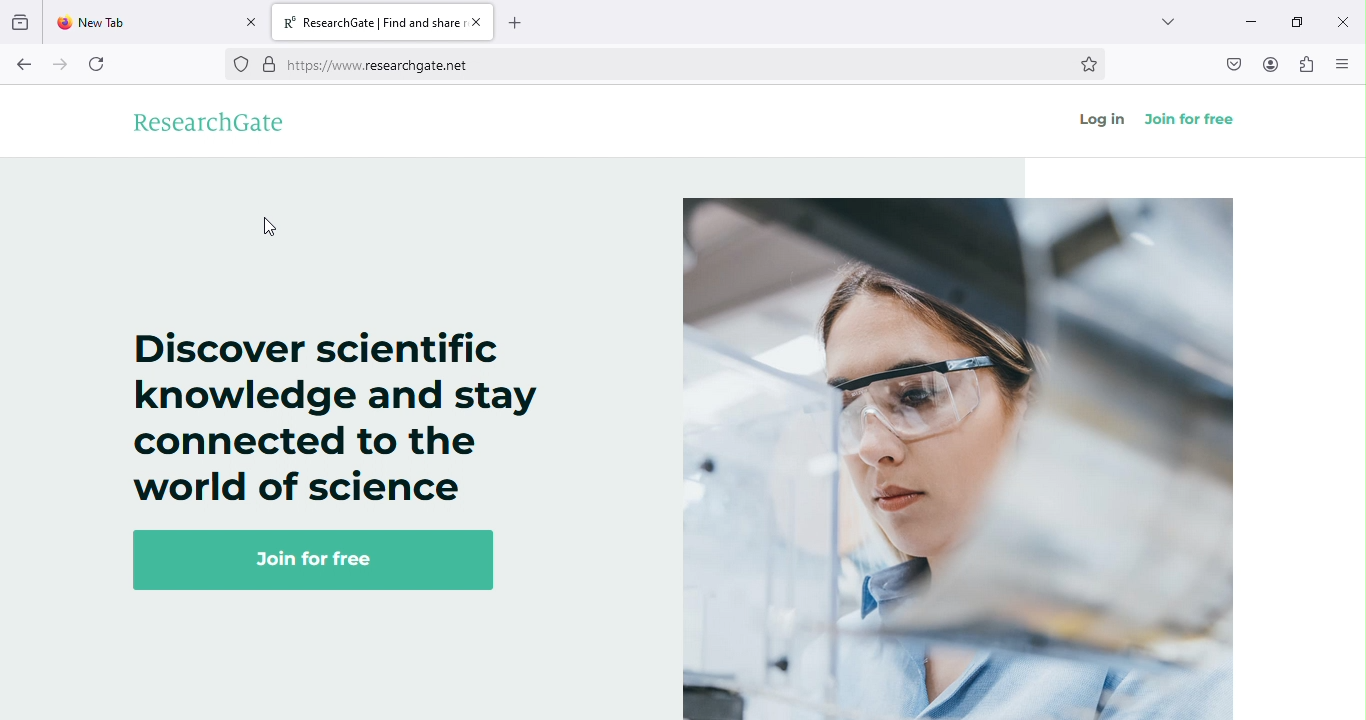 The height and width of the screenshot is (720, 1366). Describe the element at coordinates (271, 64) in the screenshot. I see `verified` at that location.